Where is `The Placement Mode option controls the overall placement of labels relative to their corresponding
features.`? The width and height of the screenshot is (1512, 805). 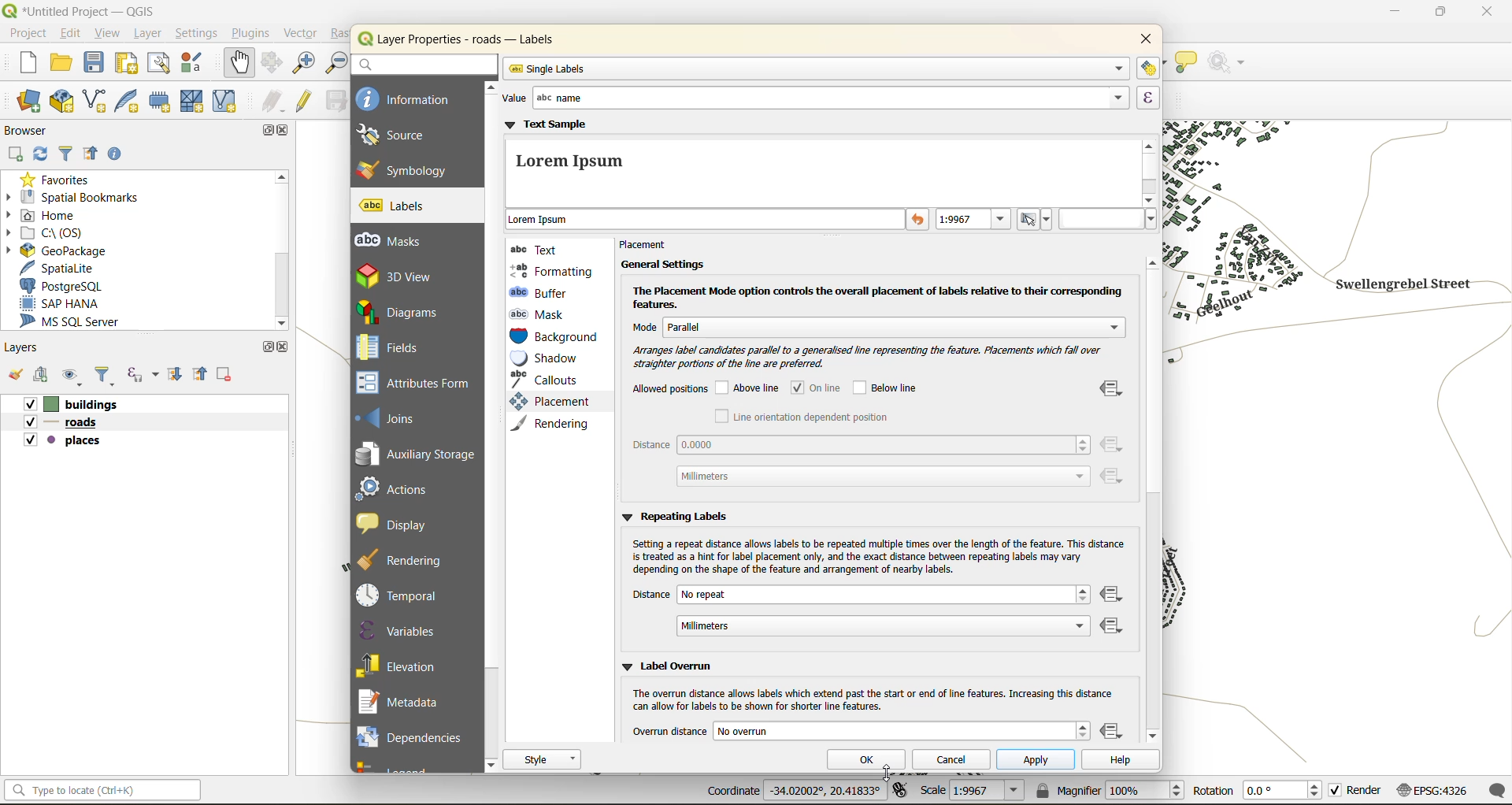 The Placement Mode option controls the overall placement of labels relative to their corresponding
features. is located at coordinates (869, 299).